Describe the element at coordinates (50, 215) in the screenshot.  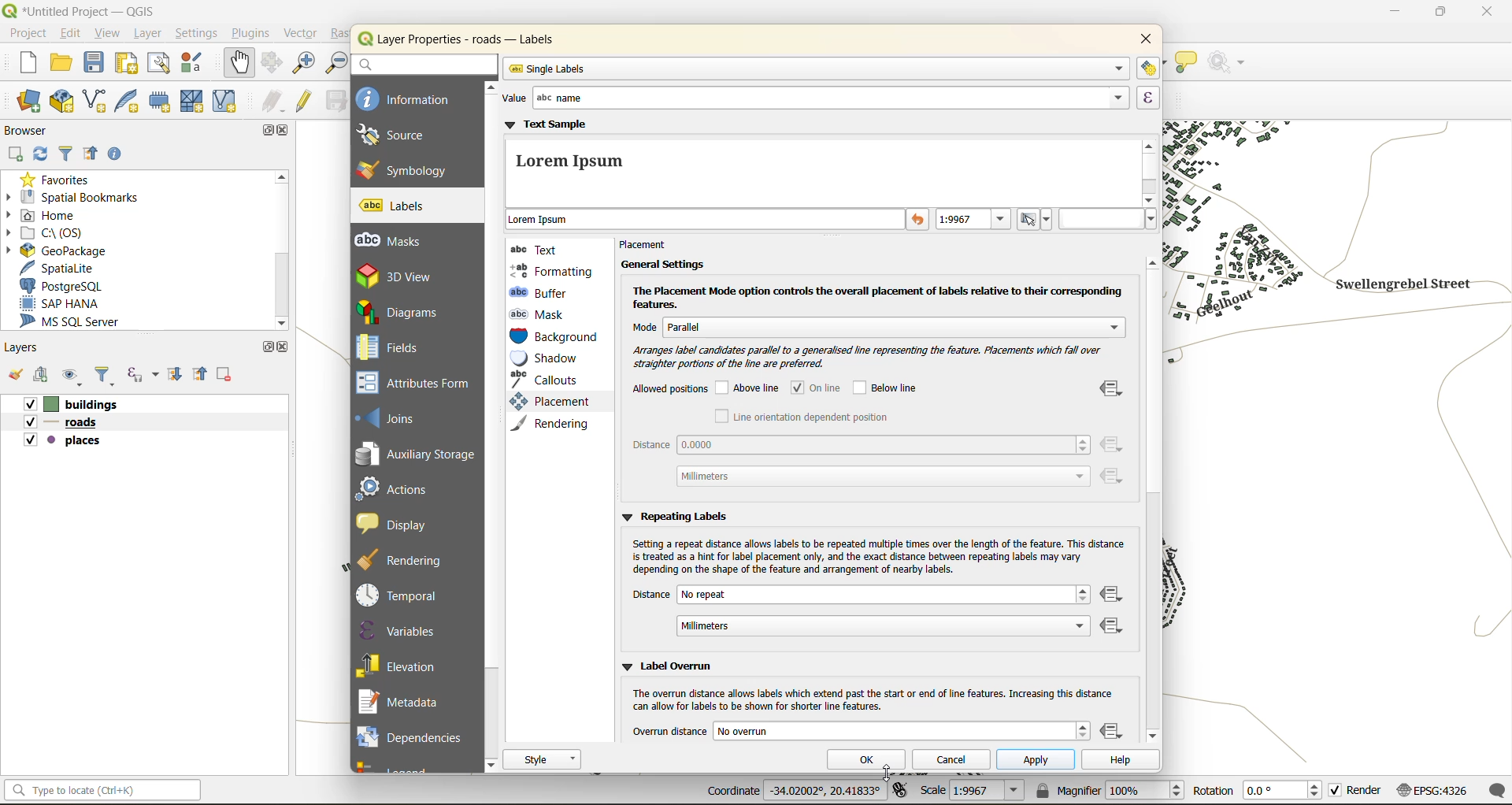
I see `home` at that location.